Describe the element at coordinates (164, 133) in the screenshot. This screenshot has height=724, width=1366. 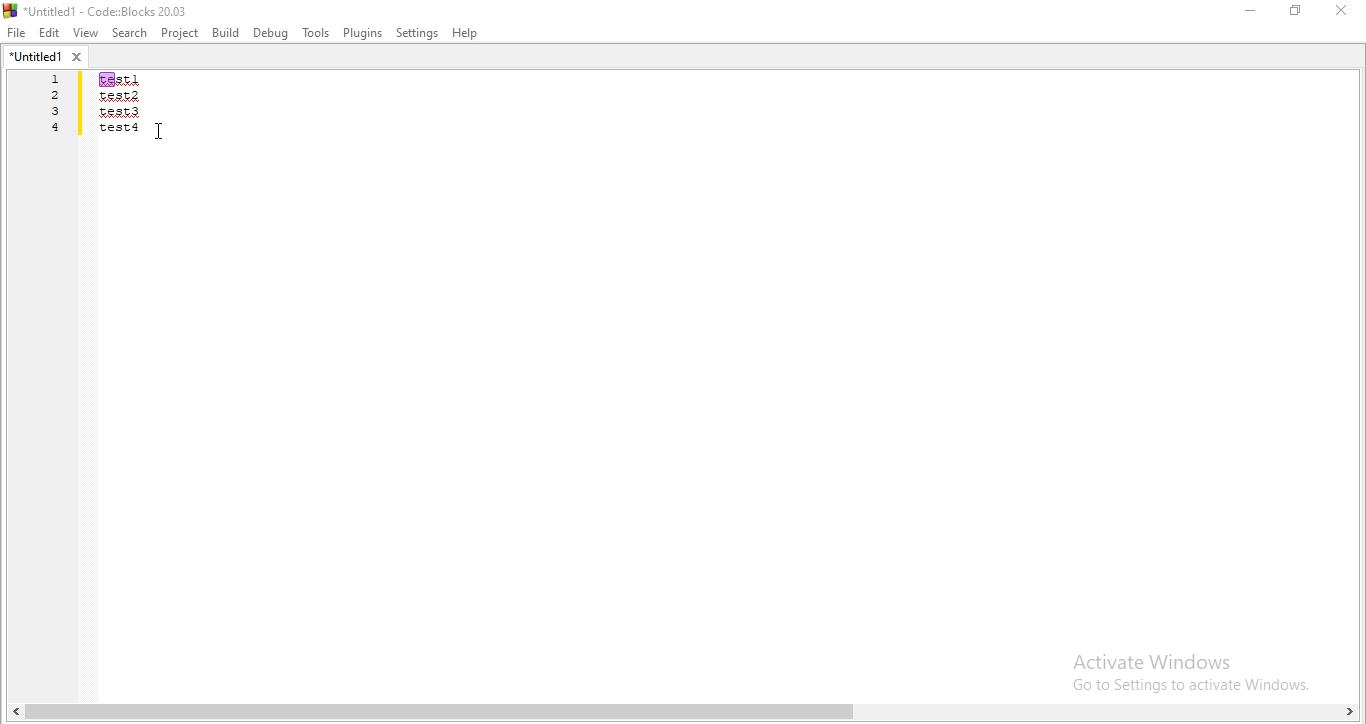
I see `Cursor` at that location.